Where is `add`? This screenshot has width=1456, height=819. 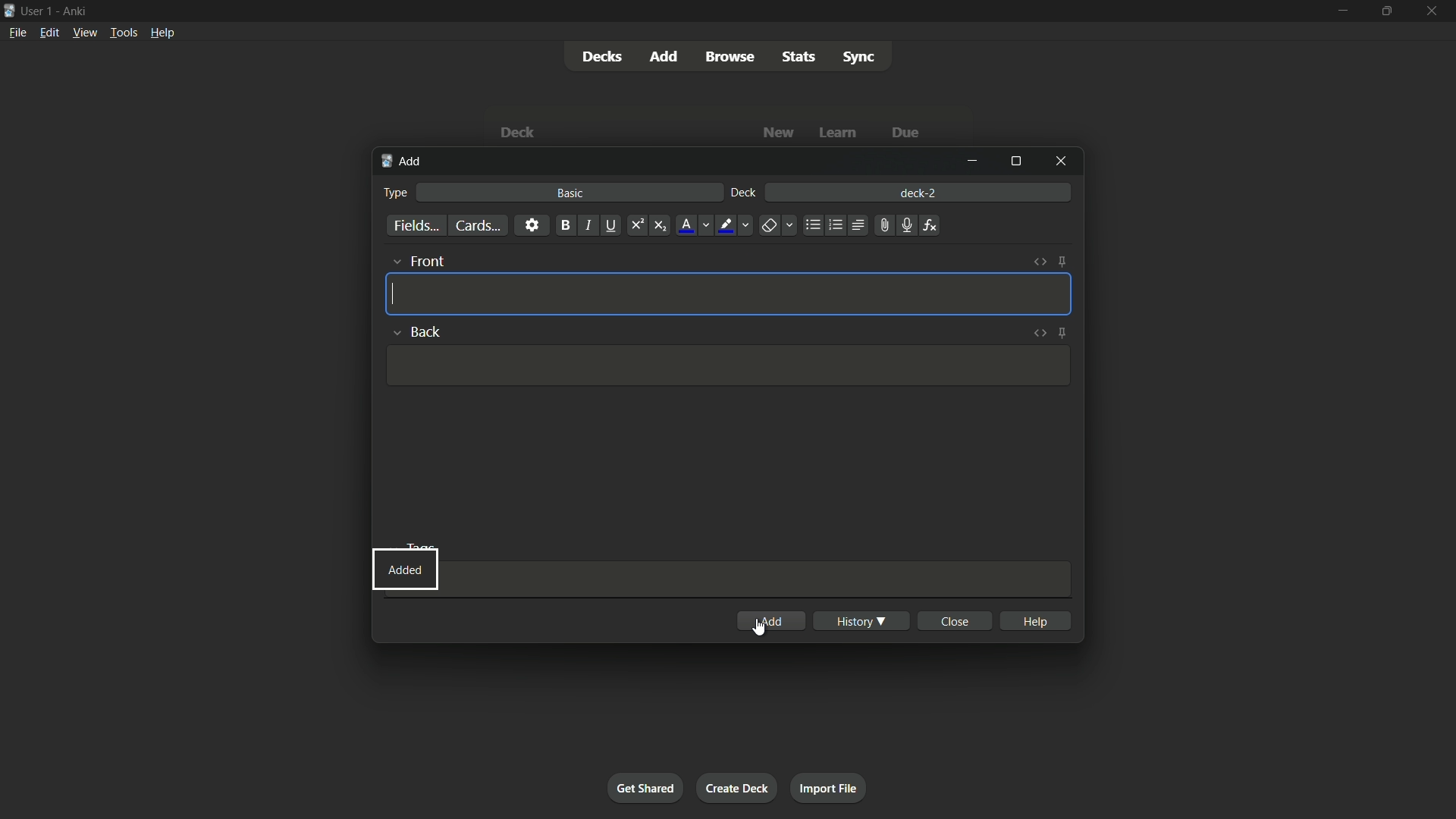
add is located at coordinates (403, 163).